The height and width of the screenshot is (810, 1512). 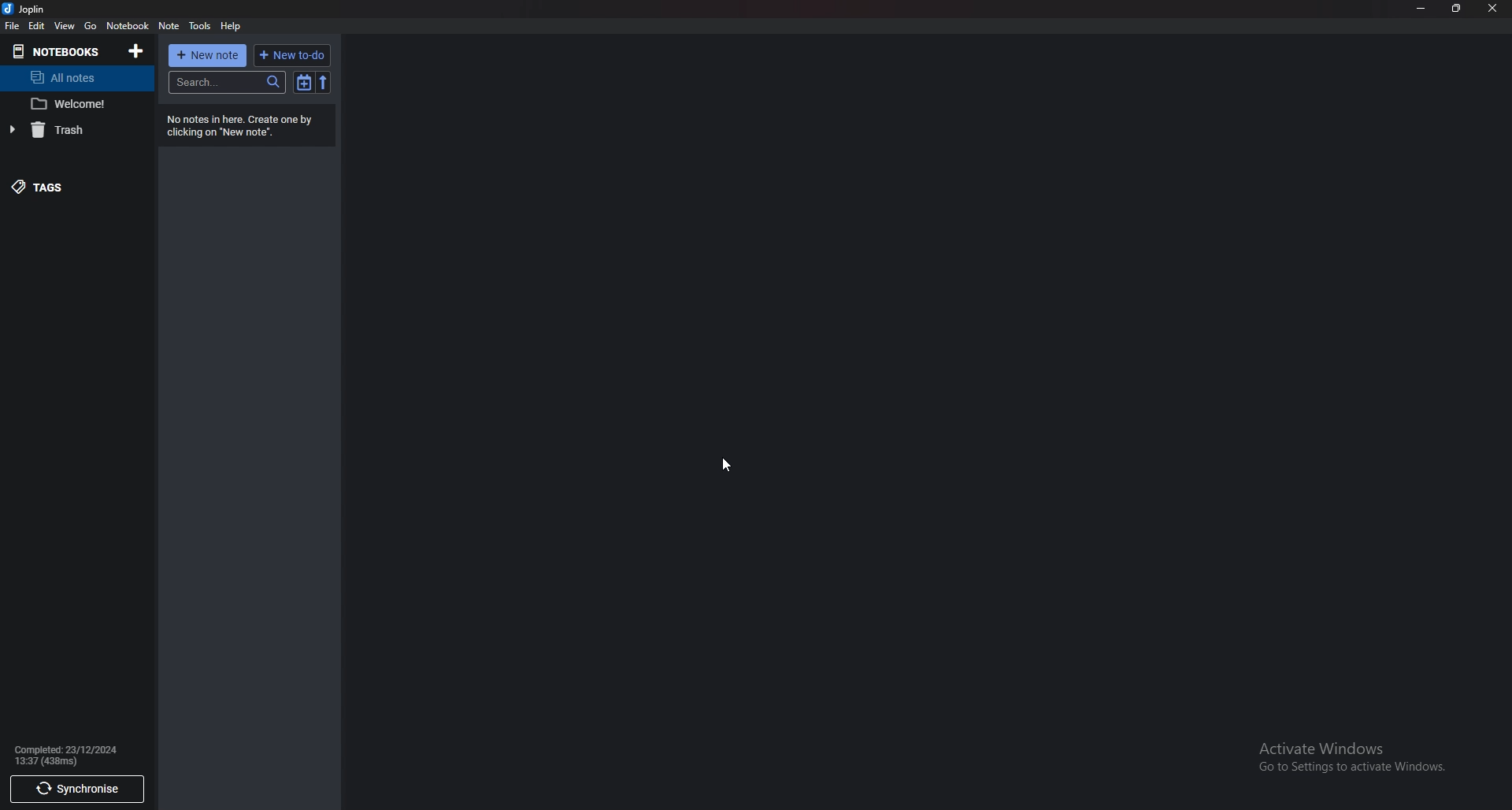 What do you see at coordinates (306, 83) in the screenshot?
I see `Toggle sort order` at bounding box center [306, 83].